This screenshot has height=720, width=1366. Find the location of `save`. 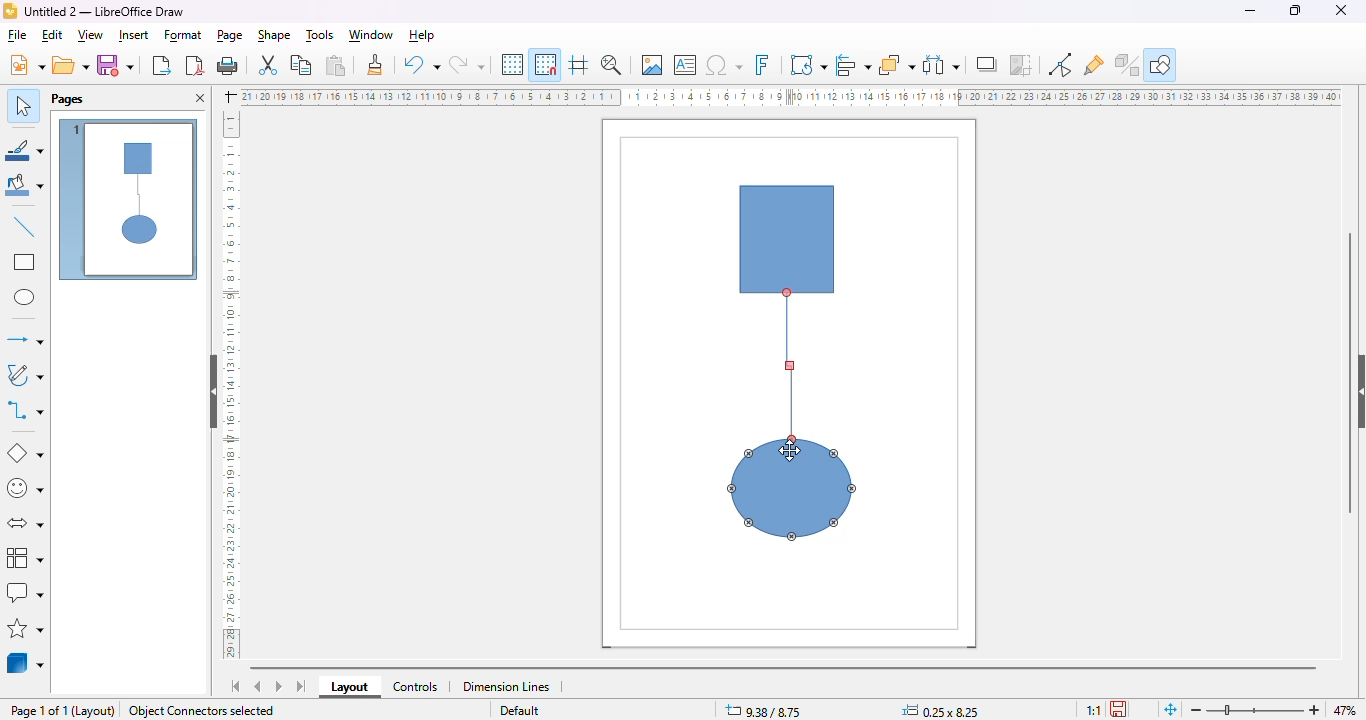

save is located at coordinates (115, 64).